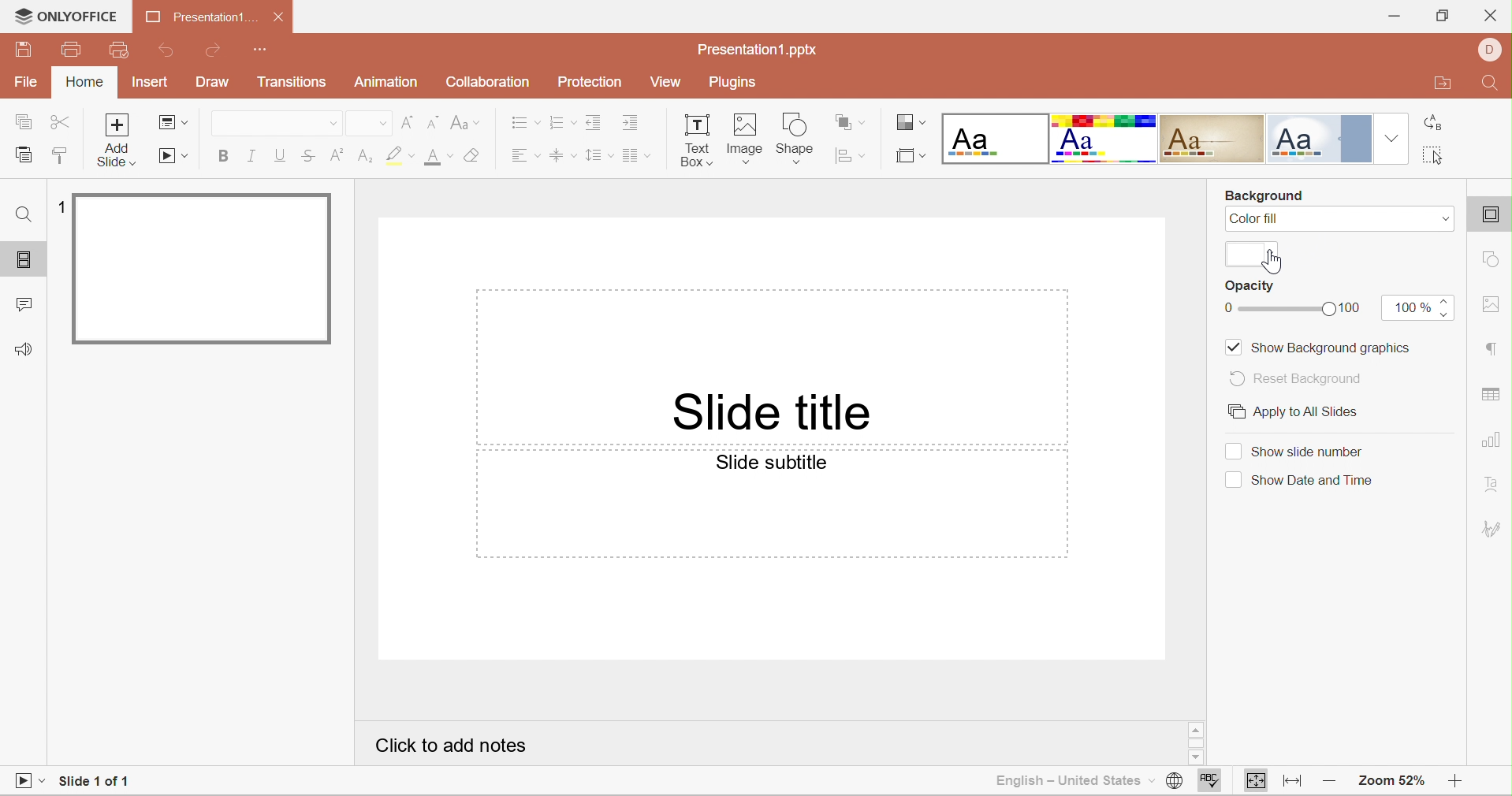  What do you see at coordinates (62, 18) in the screenshot?
I see `ONLYOFFICE` at bounding box center [62, 18].